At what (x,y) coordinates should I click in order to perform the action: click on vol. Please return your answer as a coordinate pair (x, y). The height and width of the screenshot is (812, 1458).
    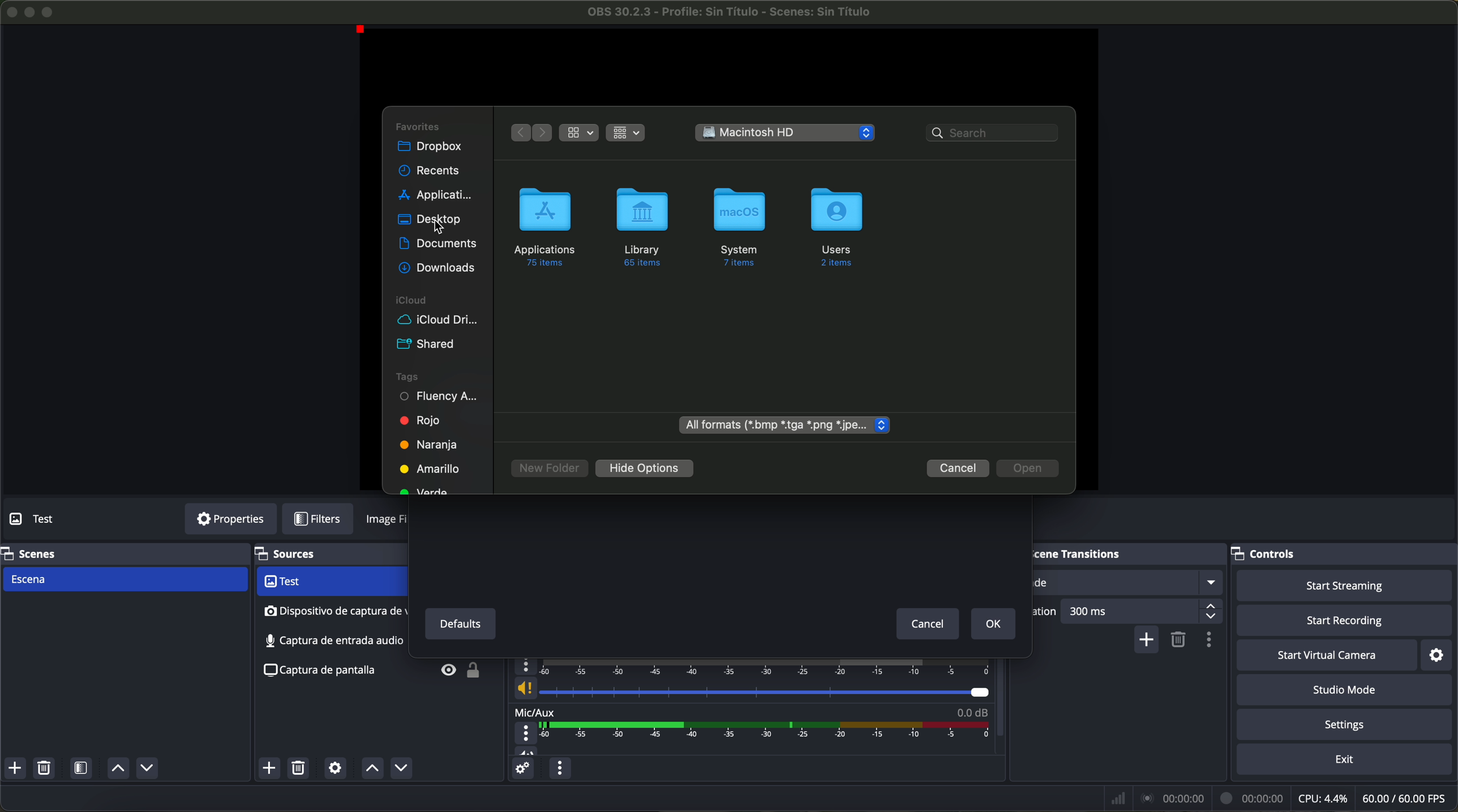
    Looking at the image, I should click on (751, 689).